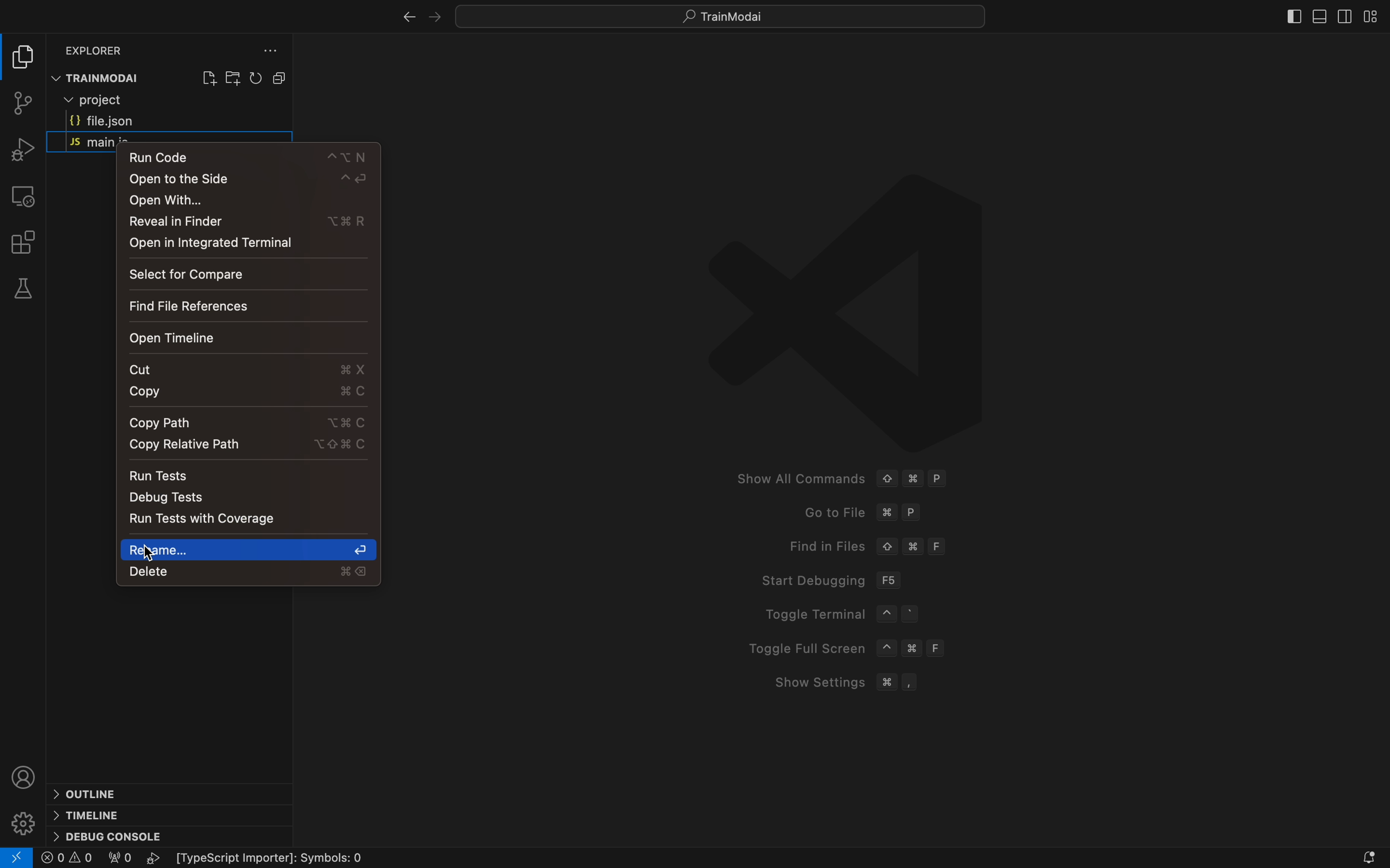 This screenshot has height=868, width=1390. Describe the element at coordinates (286, 858) in the screenshot. I see `Typescript` at that location.